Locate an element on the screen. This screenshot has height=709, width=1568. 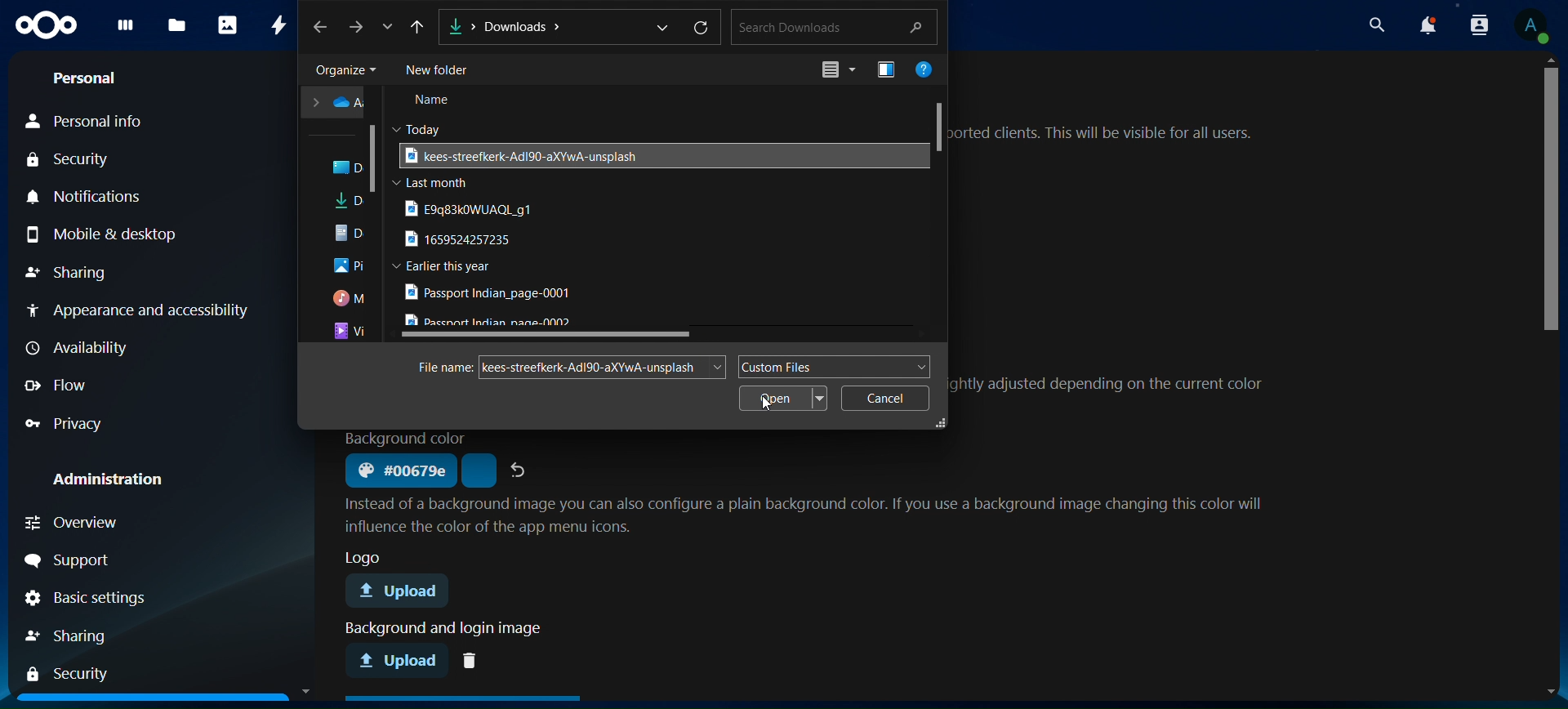
cancel is located at coordinates (884, 398).